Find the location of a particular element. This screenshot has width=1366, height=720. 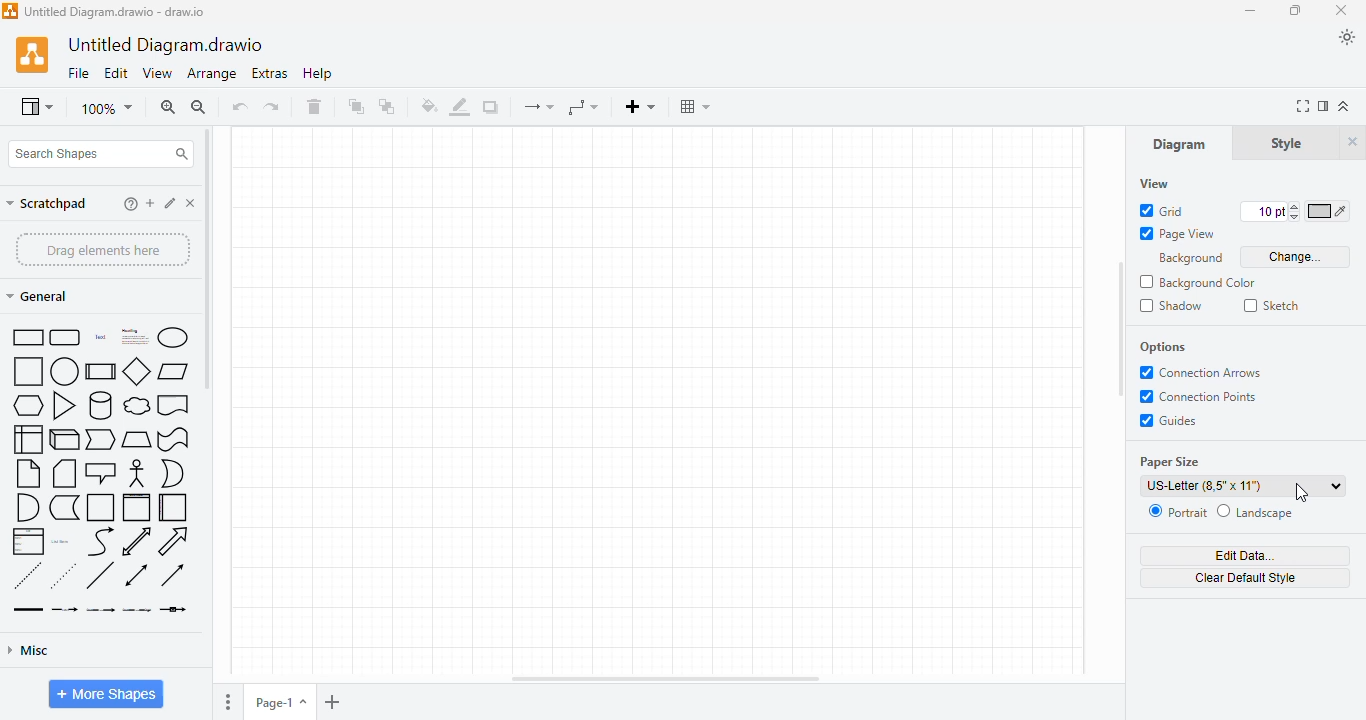

horizontal container is located at coordinates (172, 508).